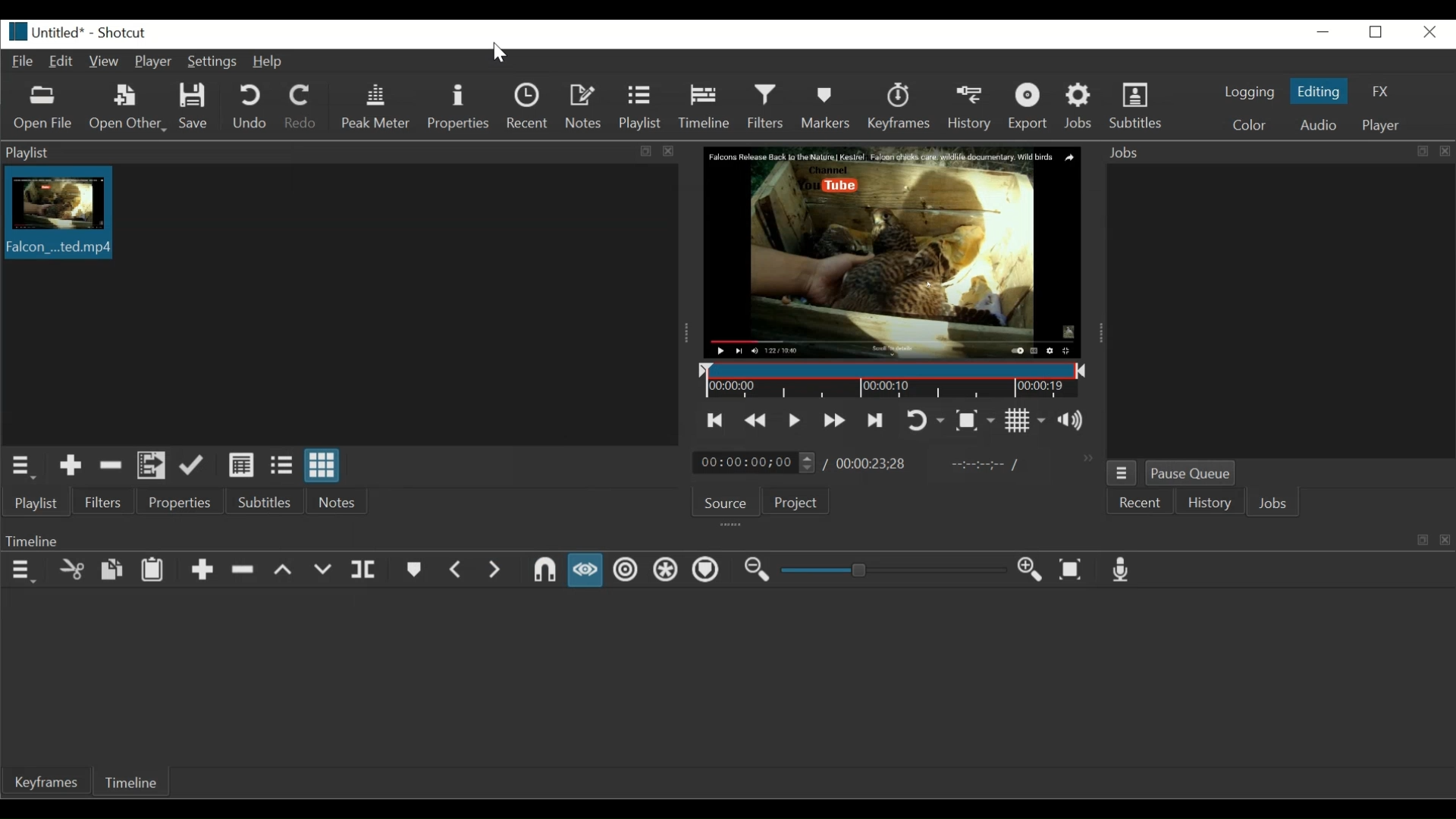 The image size is (1456, 819). I want to click on Save, so click(197, 106).